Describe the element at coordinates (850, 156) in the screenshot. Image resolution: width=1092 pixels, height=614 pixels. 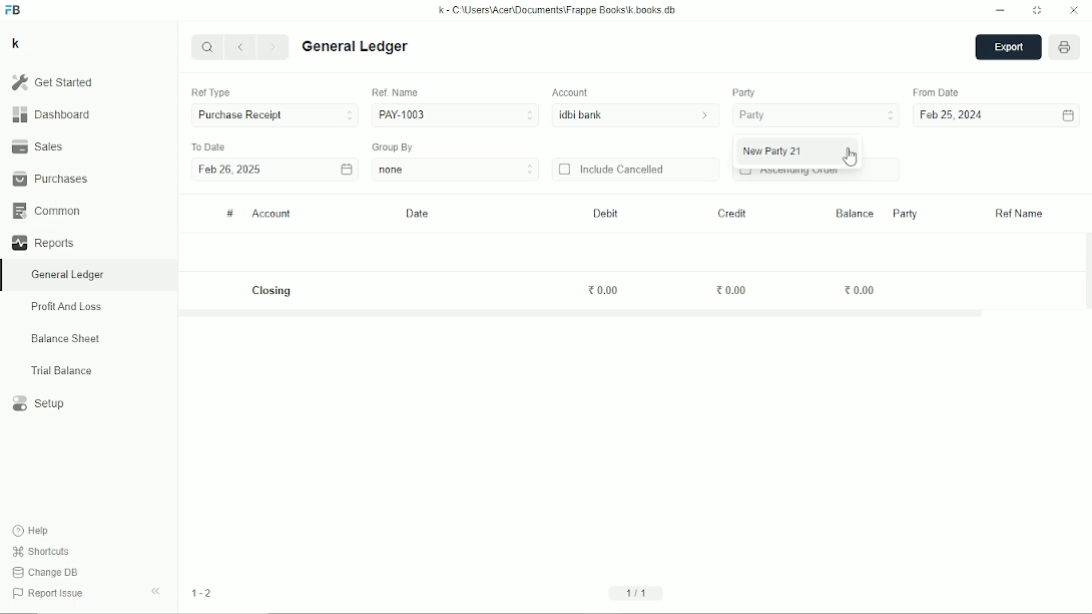
I see `Cursor` at that location.